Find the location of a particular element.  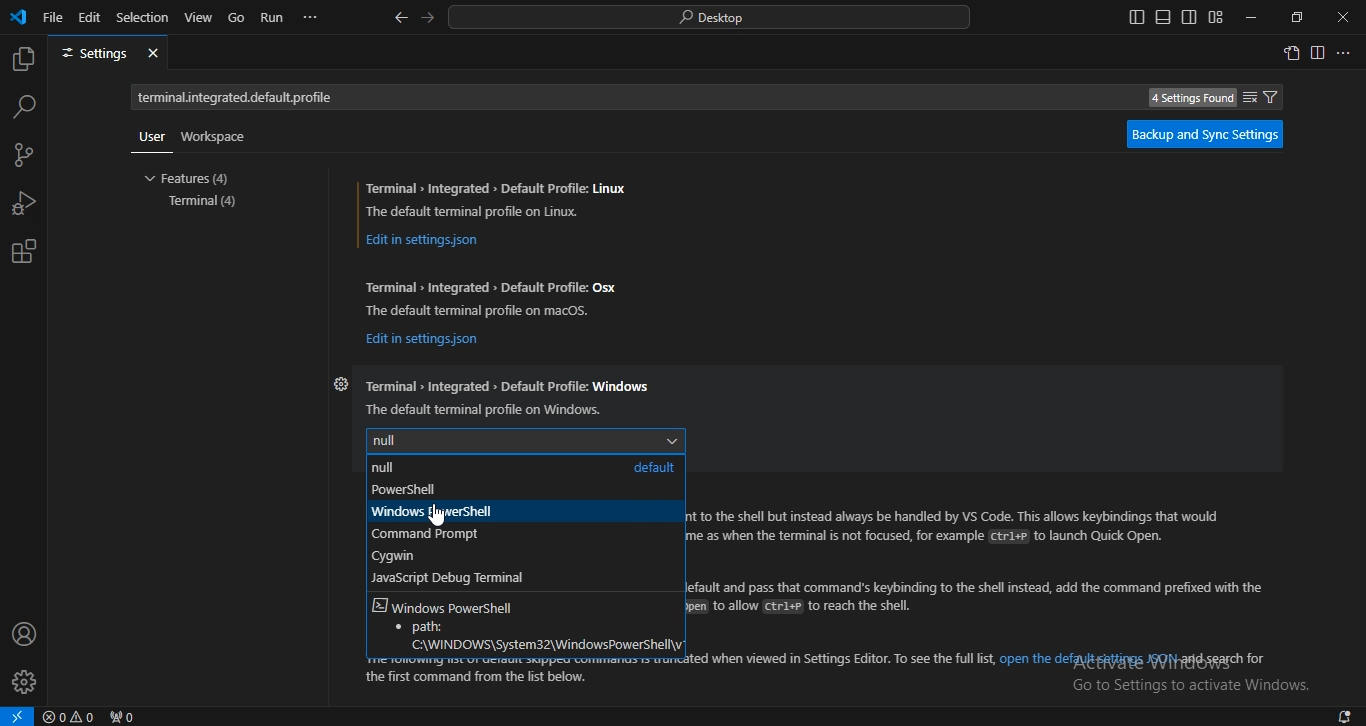

no problems is located at coordinates (70, 716).